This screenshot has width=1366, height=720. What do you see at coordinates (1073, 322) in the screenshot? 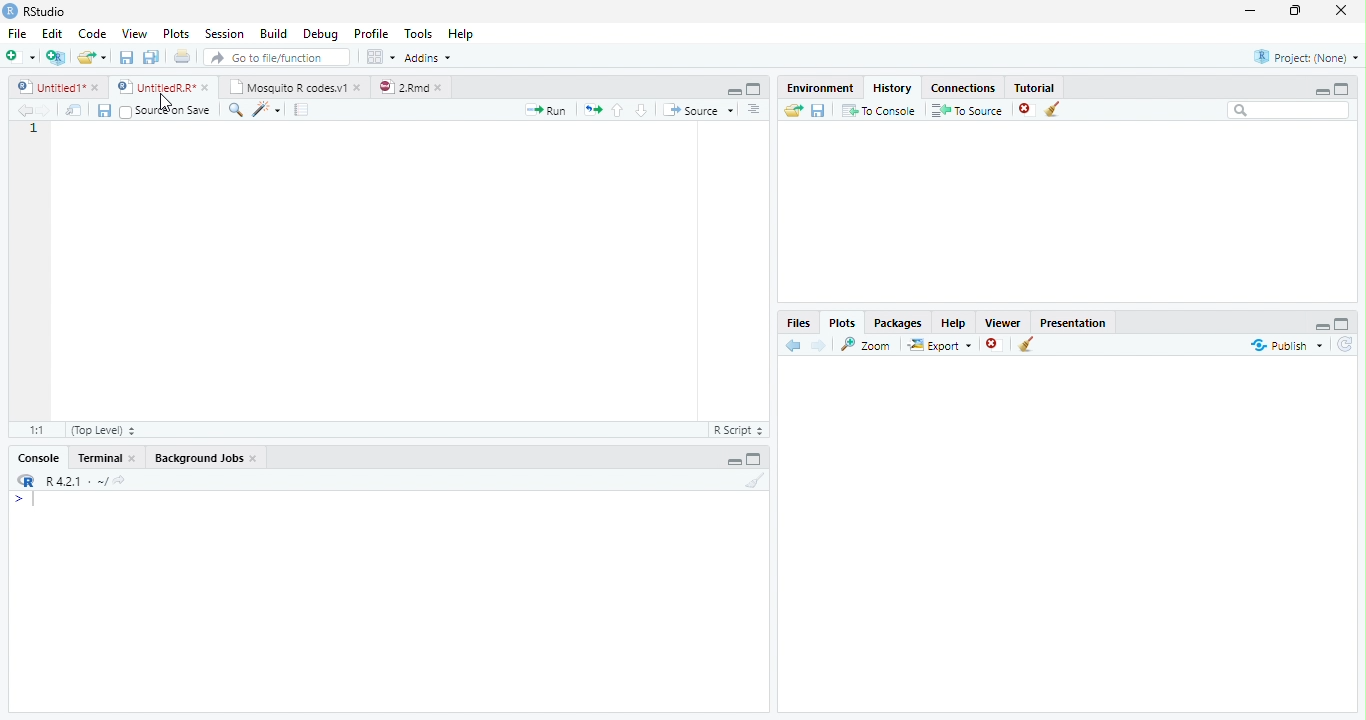
I see `Presentation` at bounding box center [1073, 322].